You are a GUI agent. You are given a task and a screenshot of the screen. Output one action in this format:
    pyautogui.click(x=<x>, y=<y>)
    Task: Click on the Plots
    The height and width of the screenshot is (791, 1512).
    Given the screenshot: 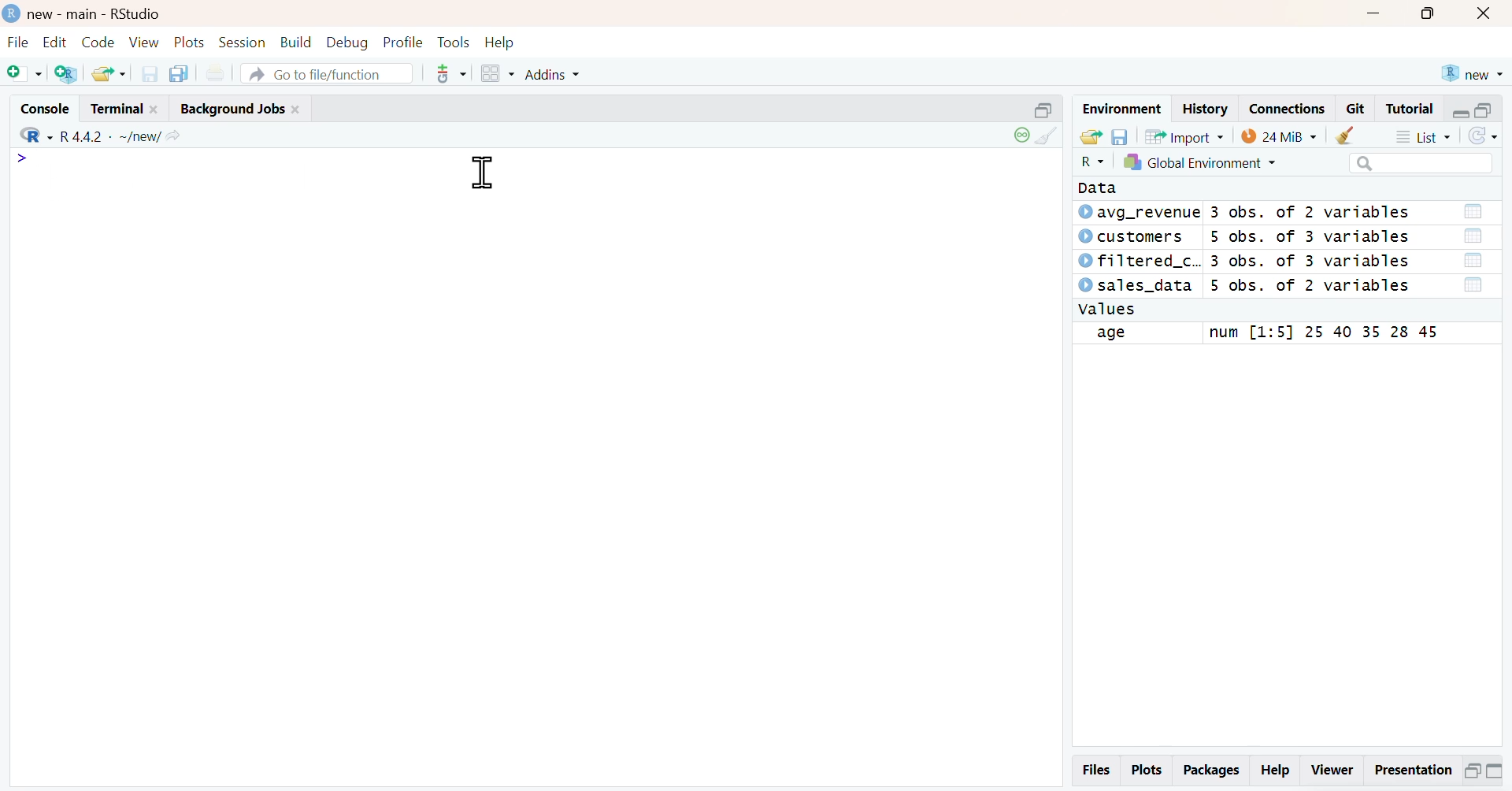 What is the action you would take?
    pyautogui.click(x=190, y=42)
    